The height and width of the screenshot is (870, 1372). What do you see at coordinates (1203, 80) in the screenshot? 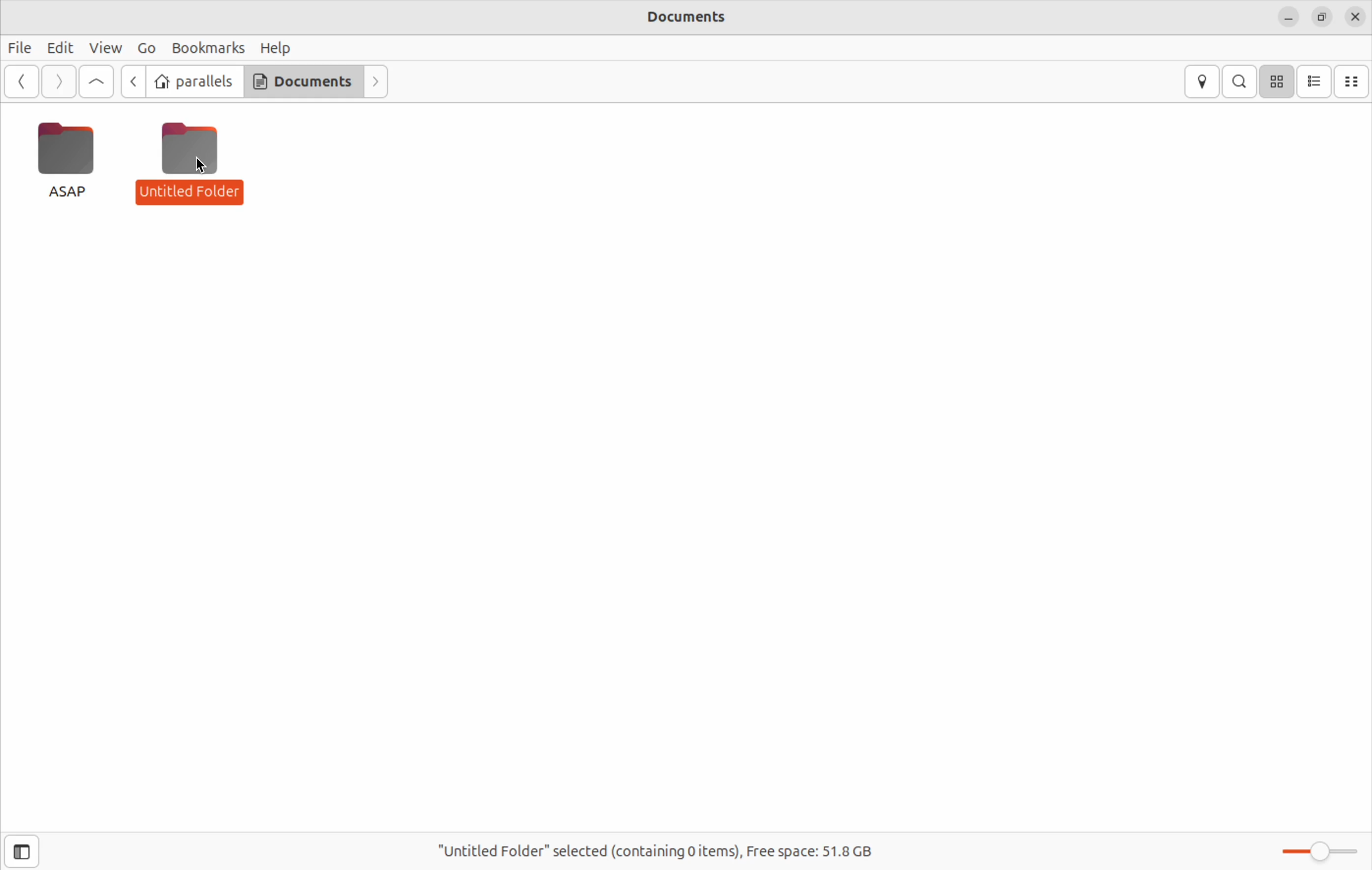
I see `location` at bounding box center [1203, 80].